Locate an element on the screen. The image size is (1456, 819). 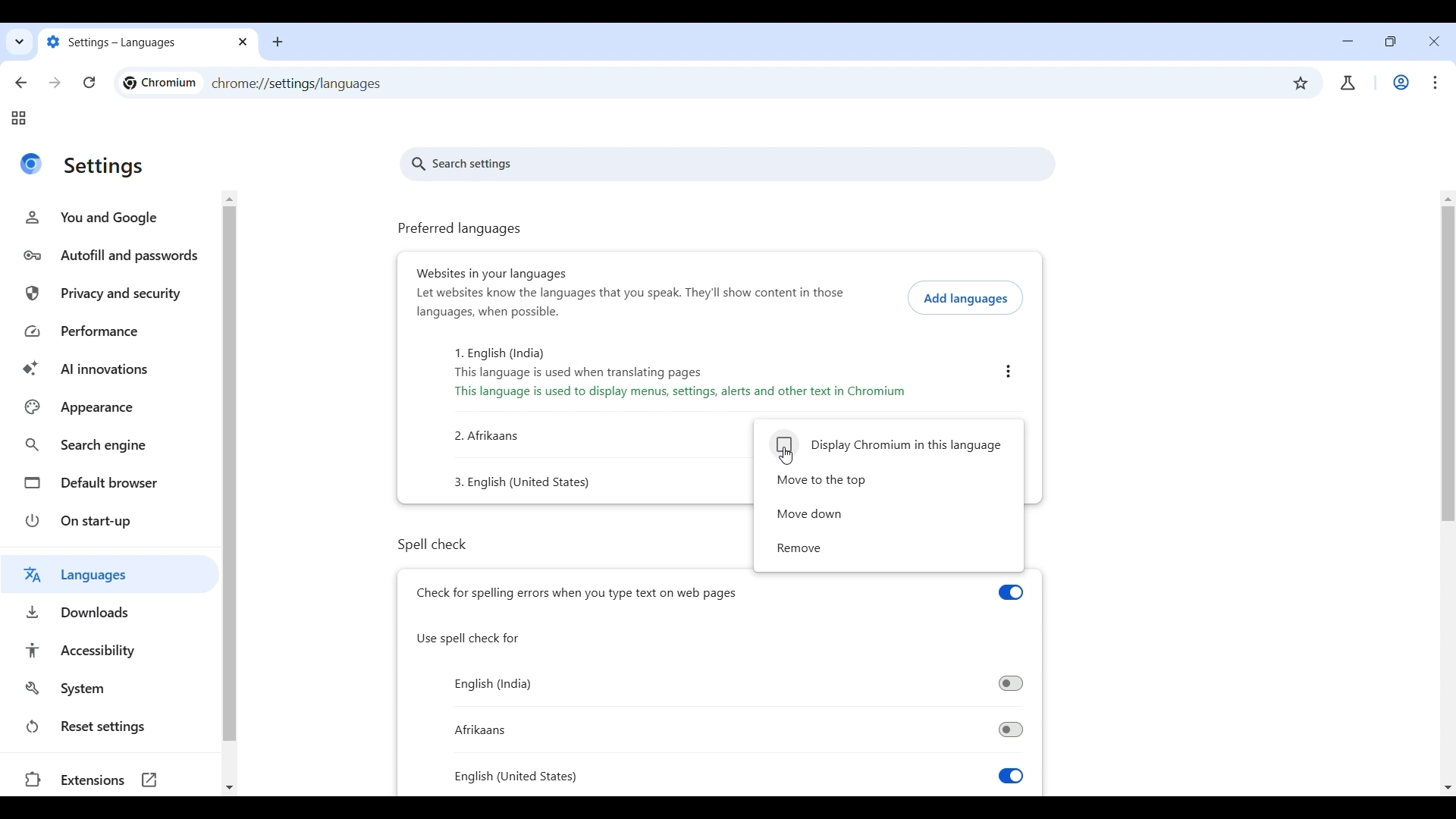
account/user profile is located at coordinates (1347, 83).